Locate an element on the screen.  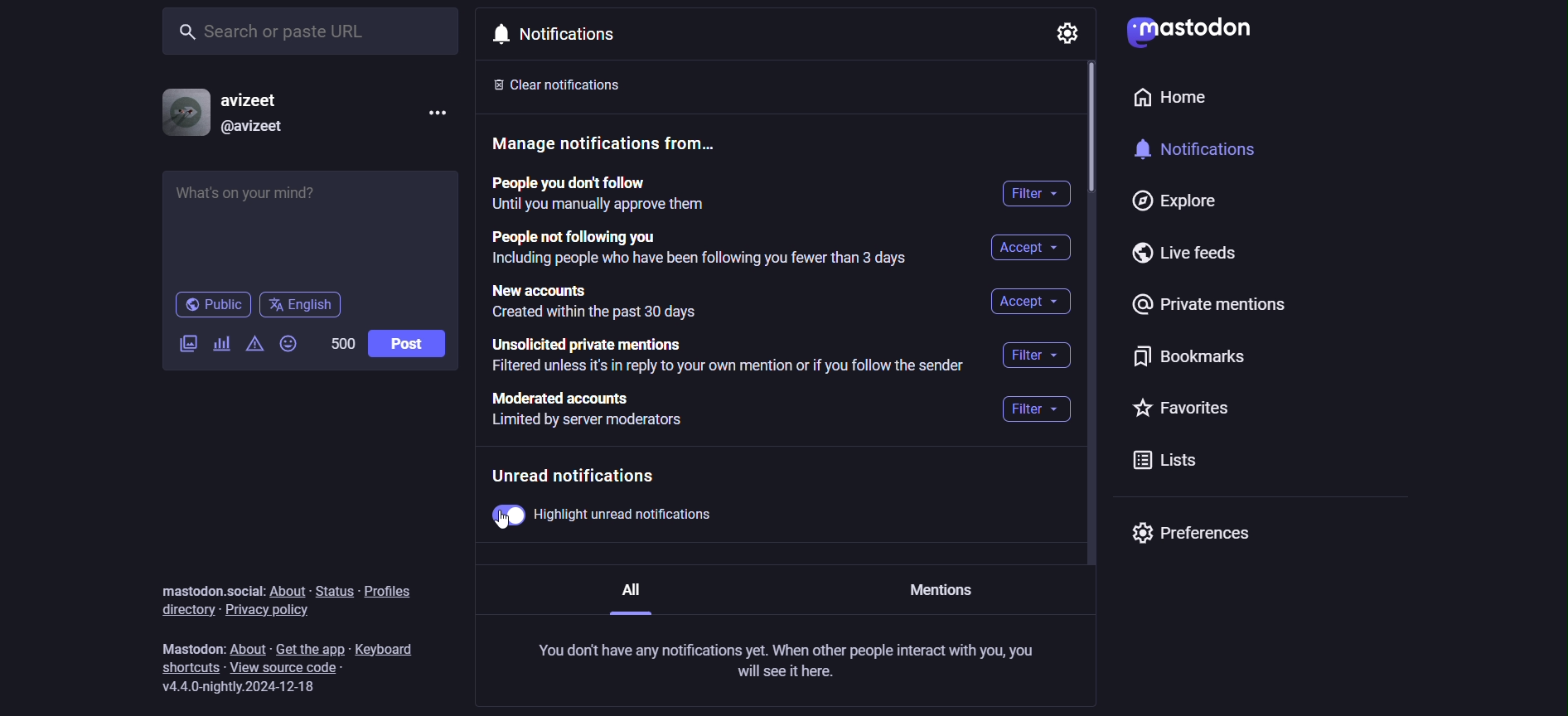
live feeds is located at coordinates (1194, 258).